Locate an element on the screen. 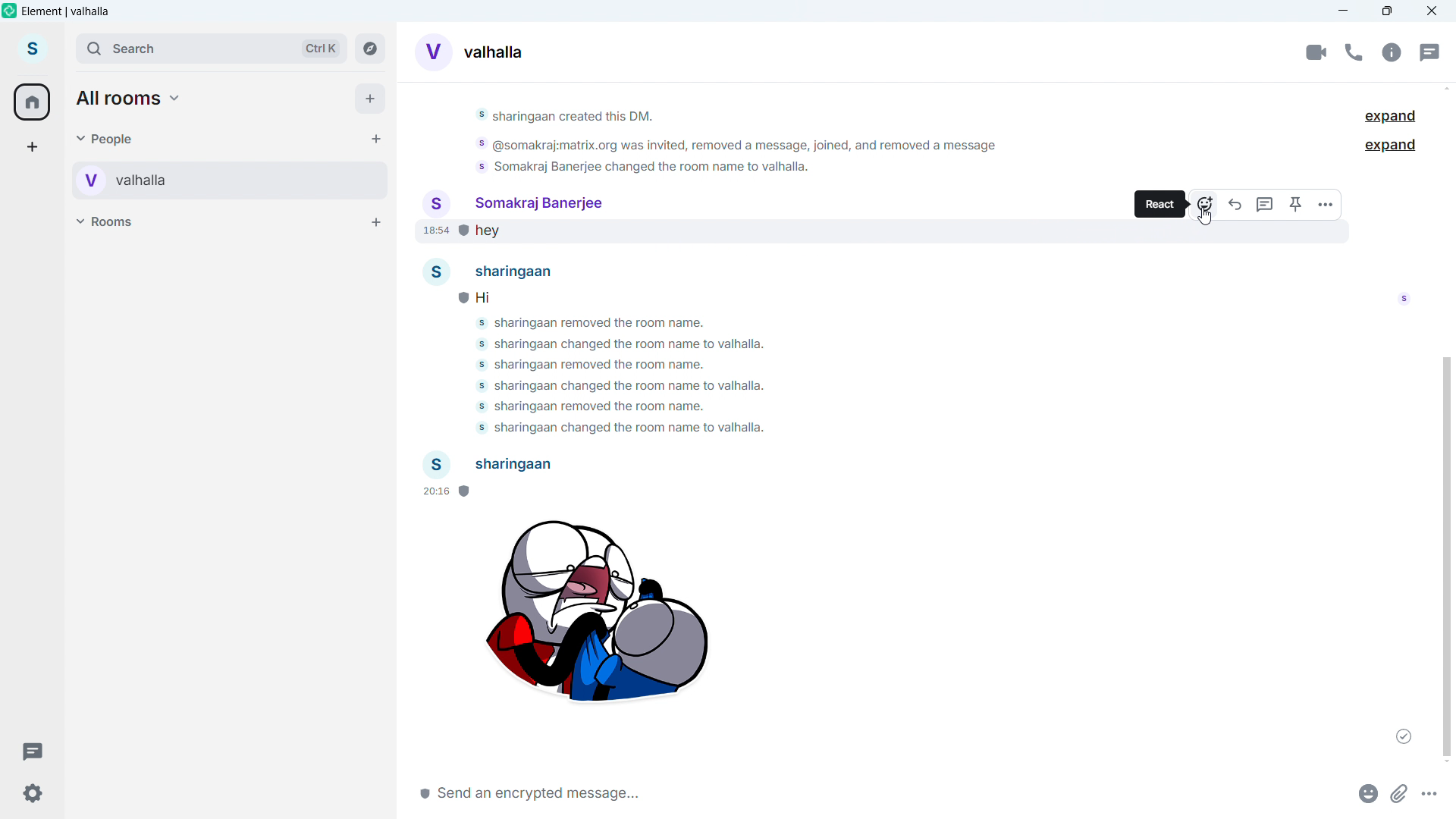  Explore rooms  is located at coordinates (370, 49).